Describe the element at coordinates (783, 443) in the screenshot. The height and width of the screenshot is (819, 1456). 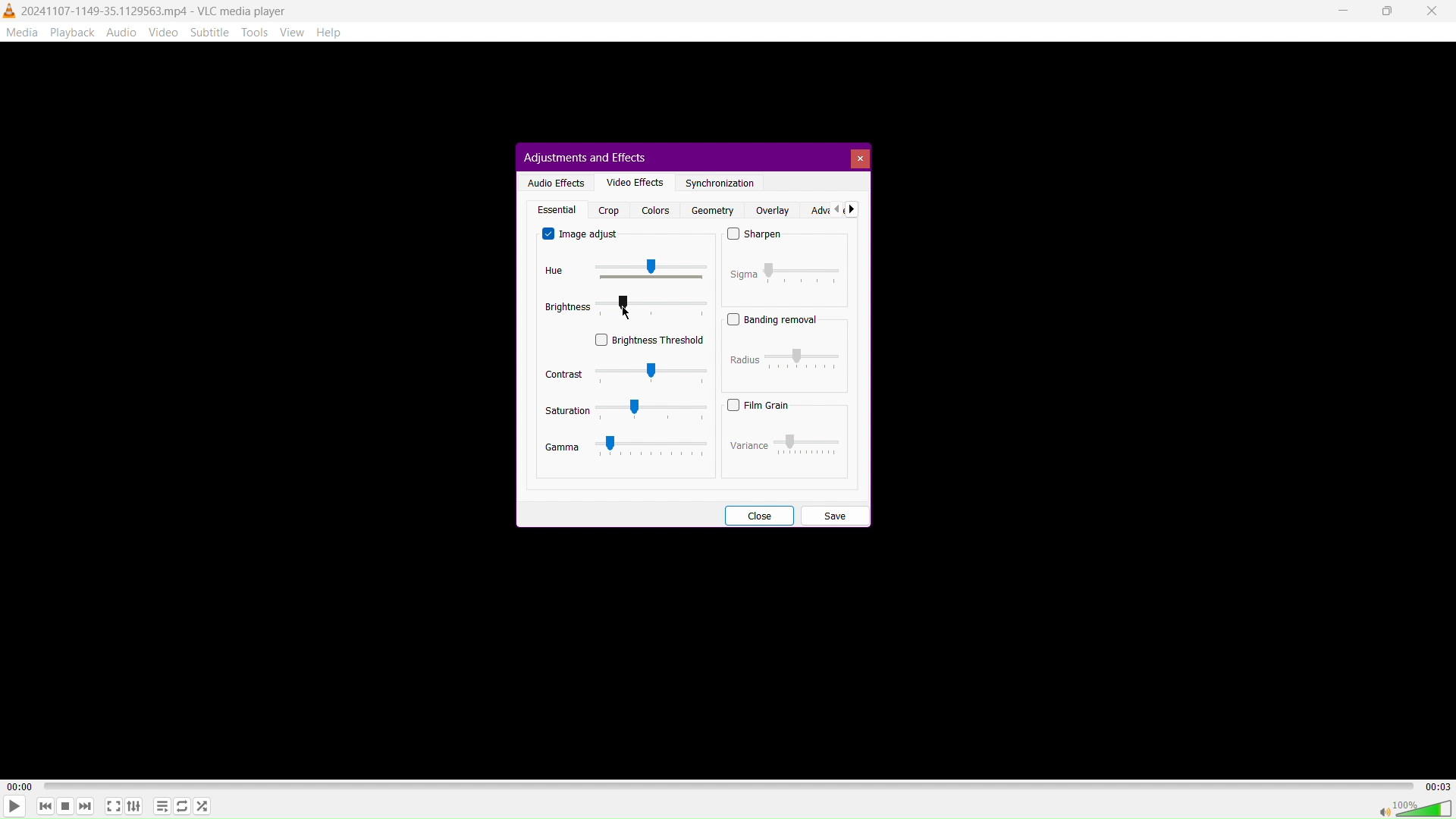
I see `Variance` at that location.